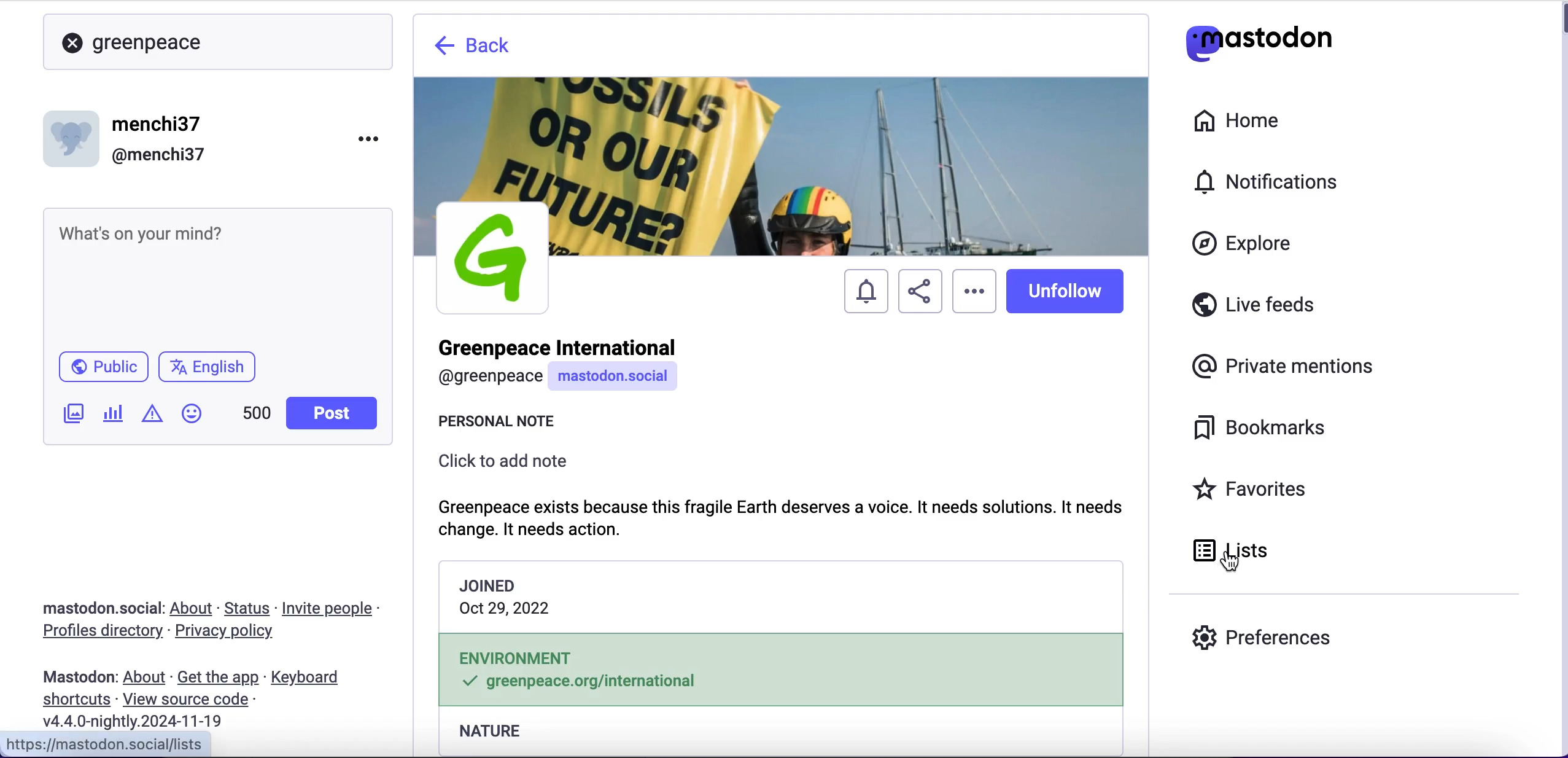 The image size is (1568, 758). Describe the element at coordinates (1254, 491) in the screenshot. I see `favorites` at that location.